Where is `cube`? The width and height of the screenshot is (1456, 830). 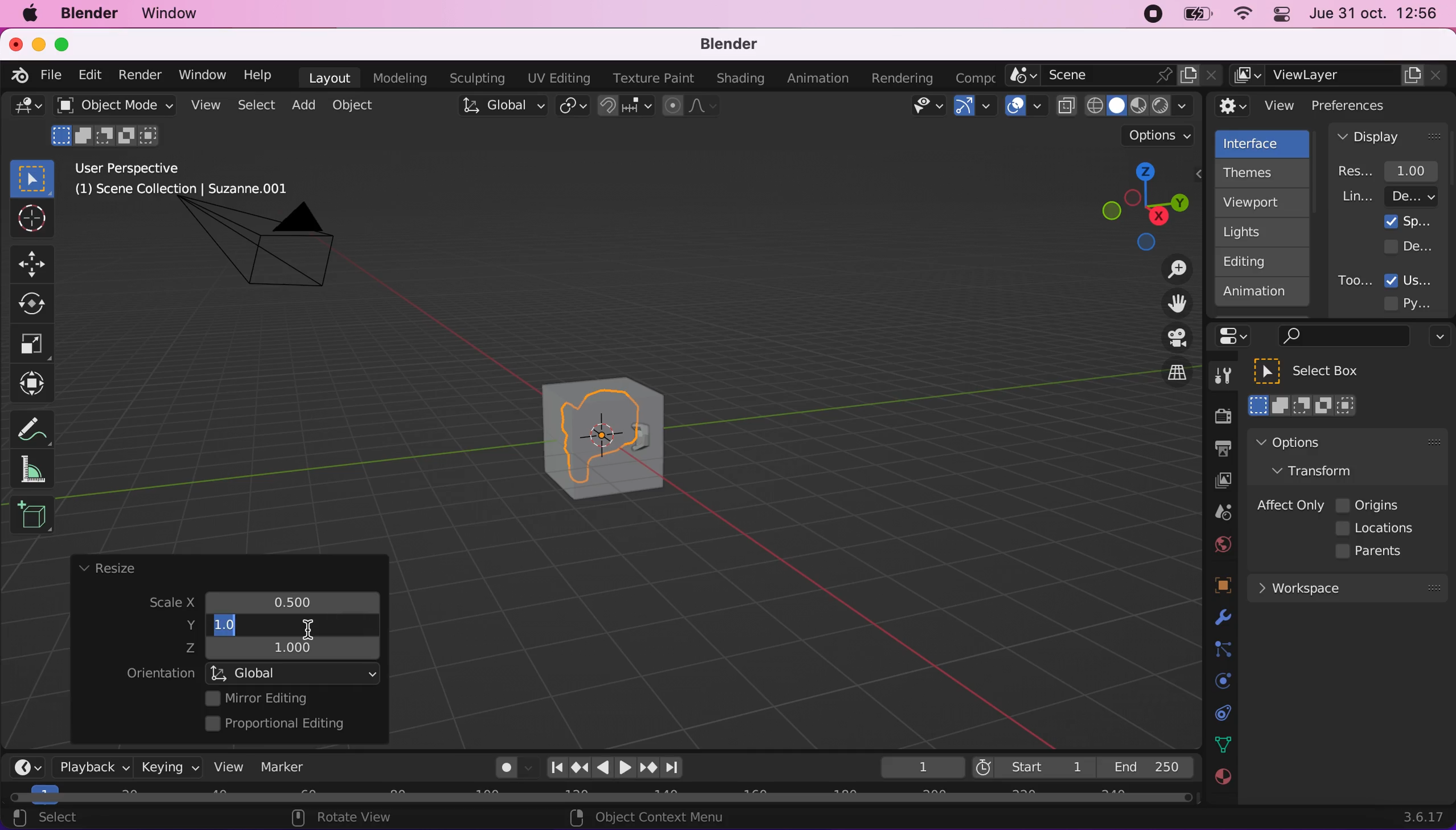
cube is located at coordinates (605, 433).